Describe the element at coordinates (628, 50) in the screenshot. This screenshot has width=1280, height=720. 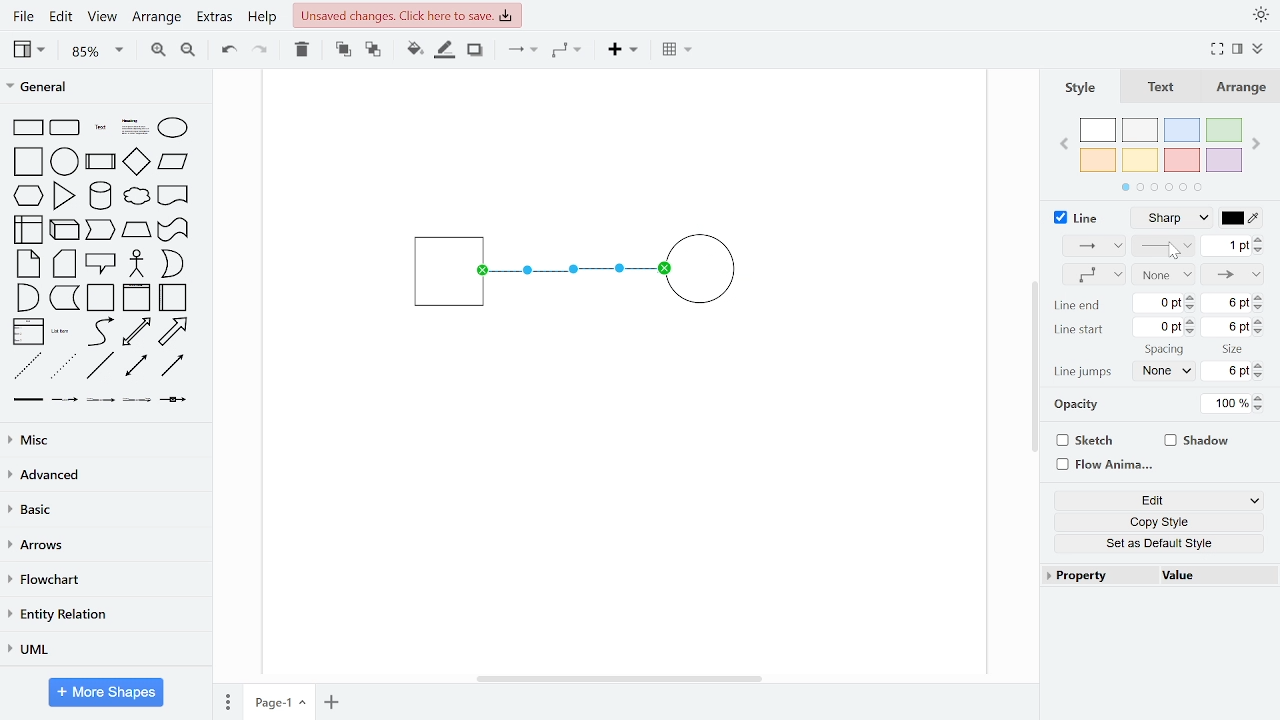
I see `insert` at that location.